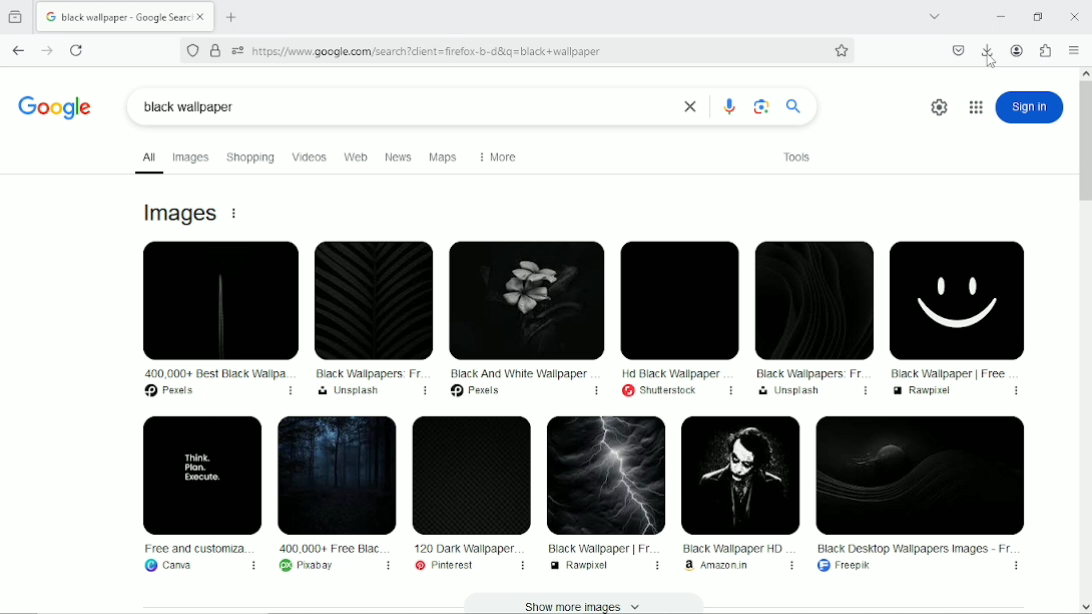  Describe the element at coordinates (373, 318) in the screenshot. I see `Black Wallpapers: Fr` at that location.